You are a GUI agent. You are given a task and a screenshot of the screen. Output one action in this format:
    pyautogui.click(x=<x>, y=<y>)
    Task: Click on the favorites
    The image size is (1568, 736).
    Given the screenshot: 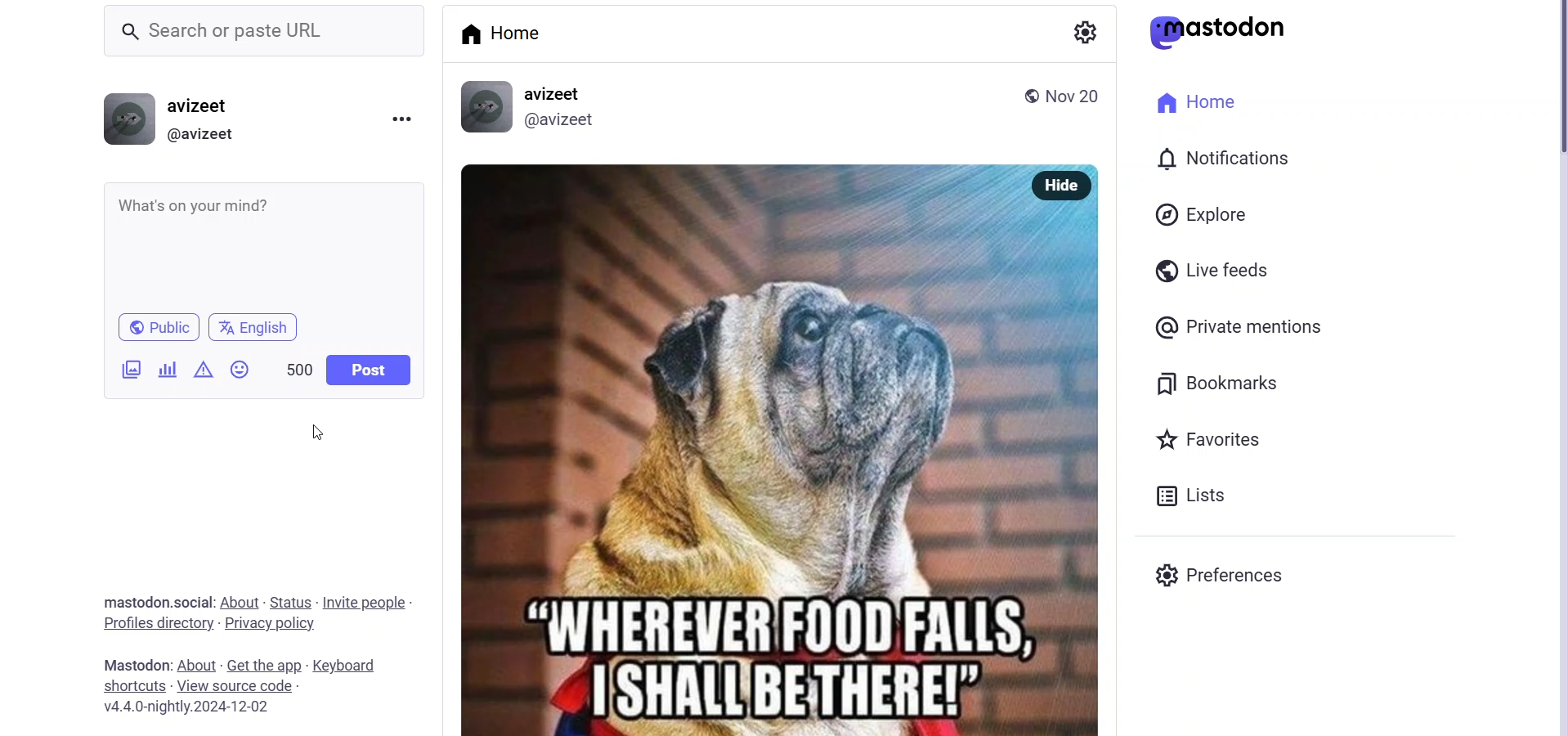 What is the action you would take?
    pyautogui.click(x=1214, y=439)
    